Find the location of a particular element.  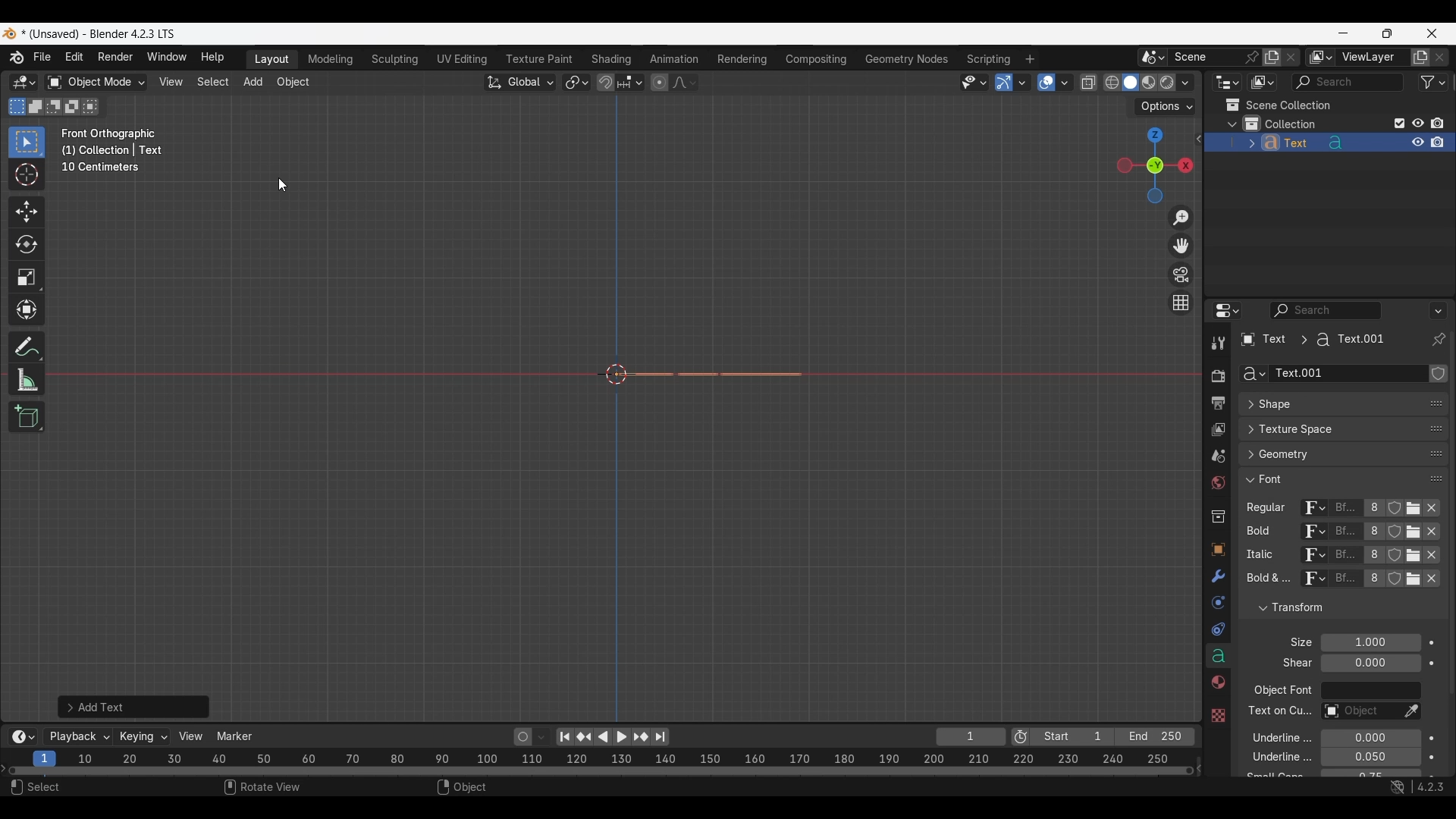

Transform is located at coordinates (26, 311).